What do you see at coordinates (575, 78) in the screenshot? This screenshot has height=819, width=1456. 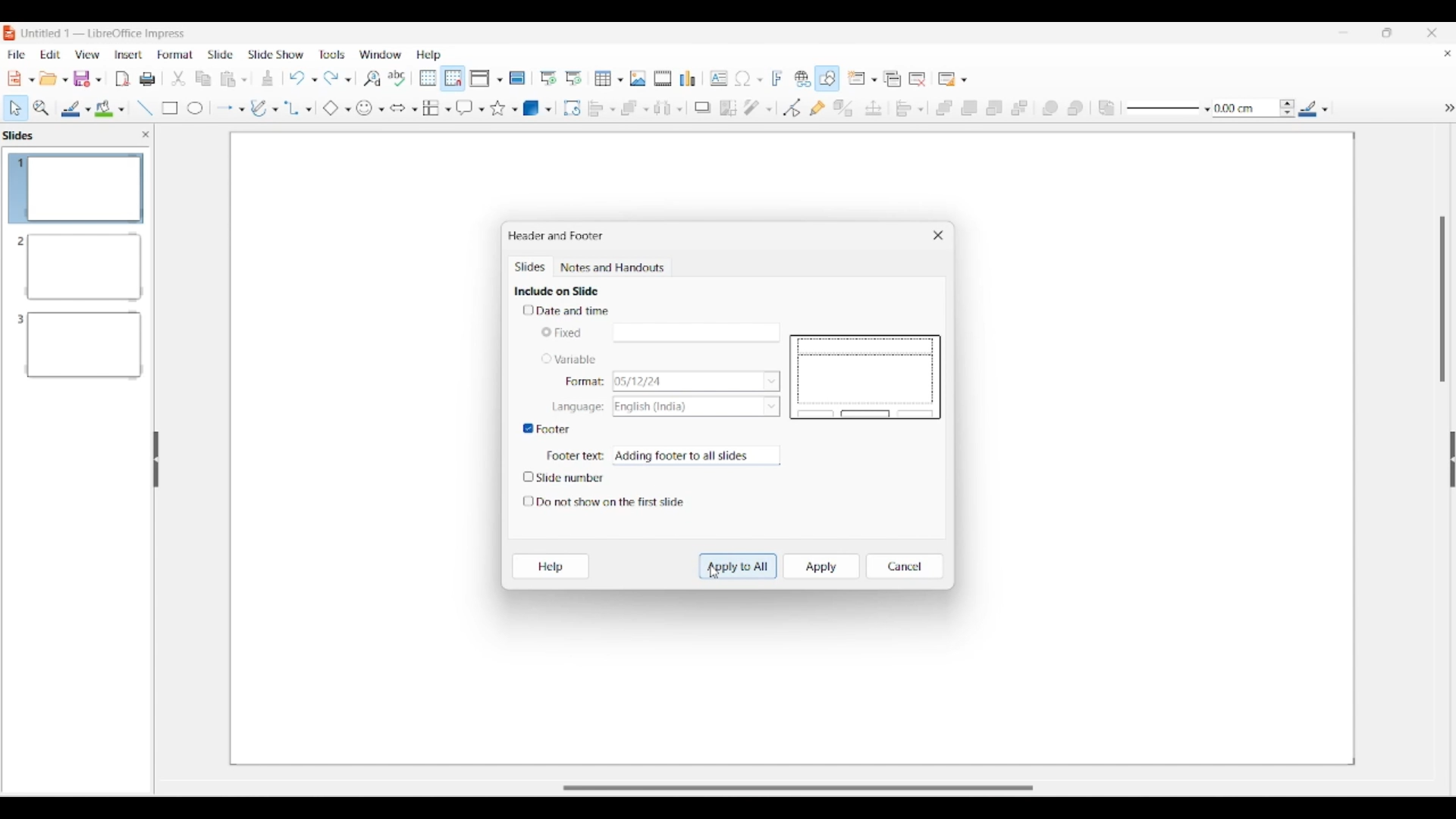 I see `Start from current slide` at bounding box center [575, 78].